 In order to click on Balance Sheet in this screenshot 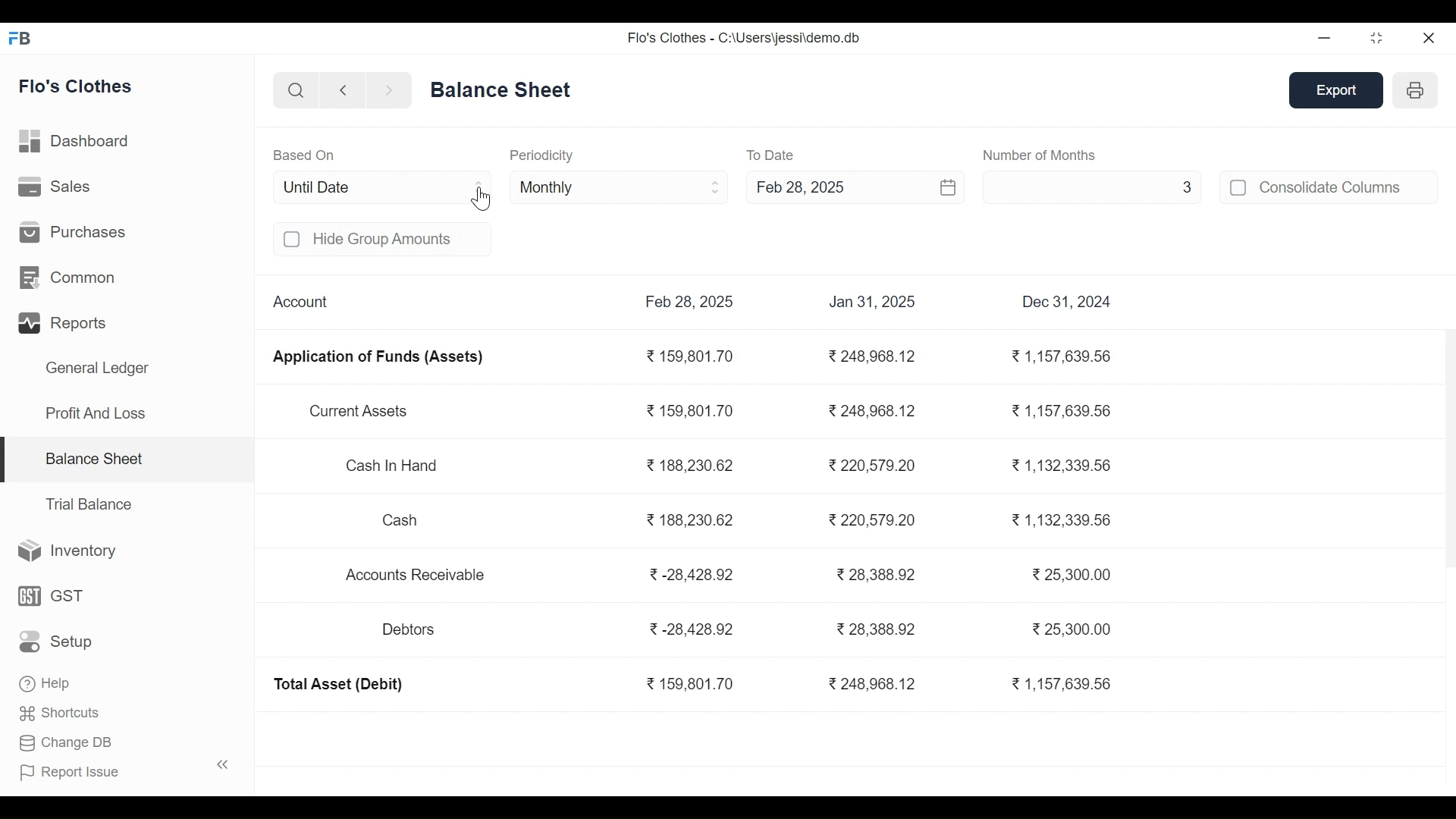, I will do `click(93, 457)`.